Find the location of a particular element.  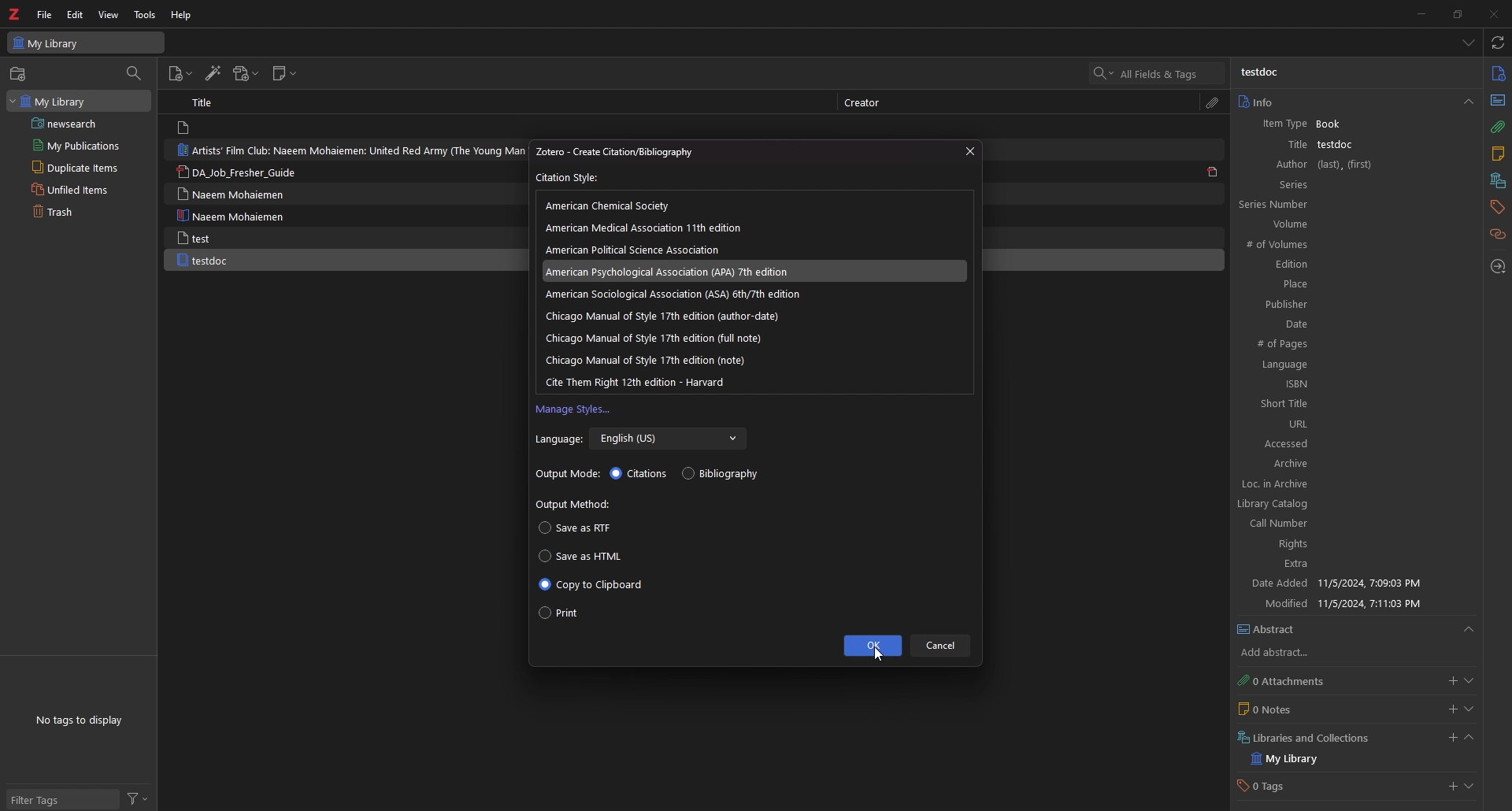

Title is located at coordinates (1283, 144).